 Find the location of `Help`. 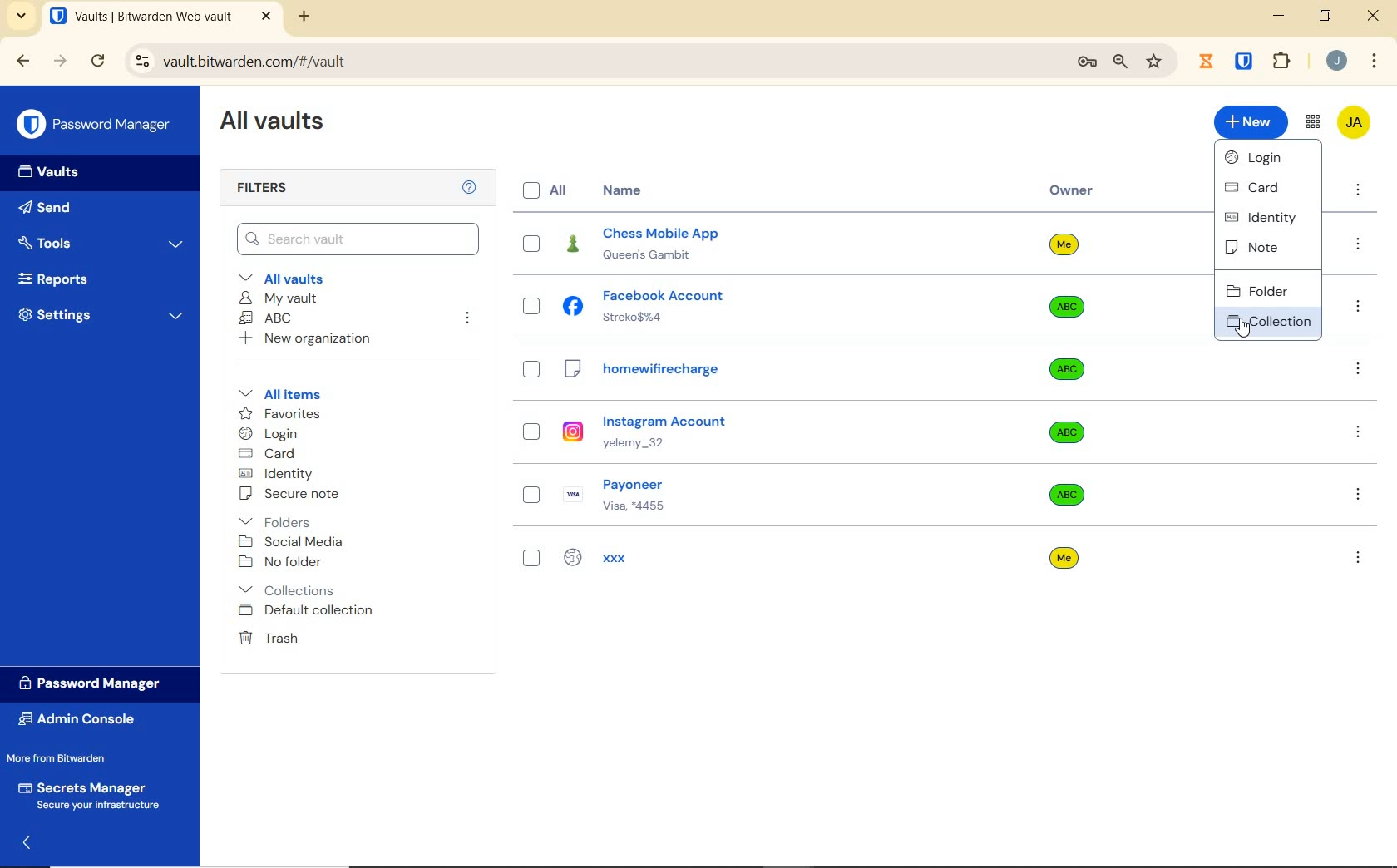

Help is located at coordinates (467, 188).